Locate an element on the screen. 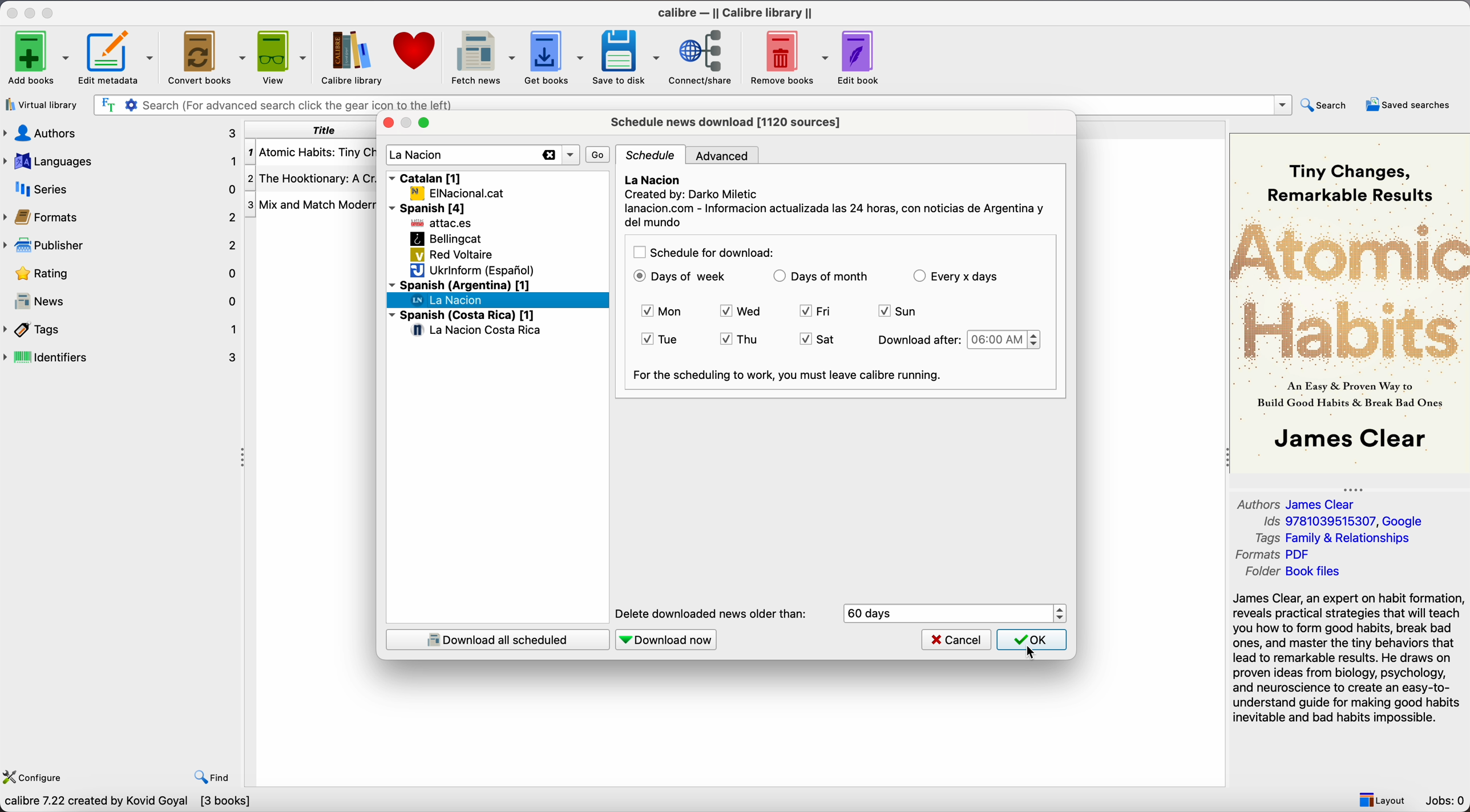 Image resolution: width=1470 pixels, height=812 pixels. thu is located at coordinates (738, 340).